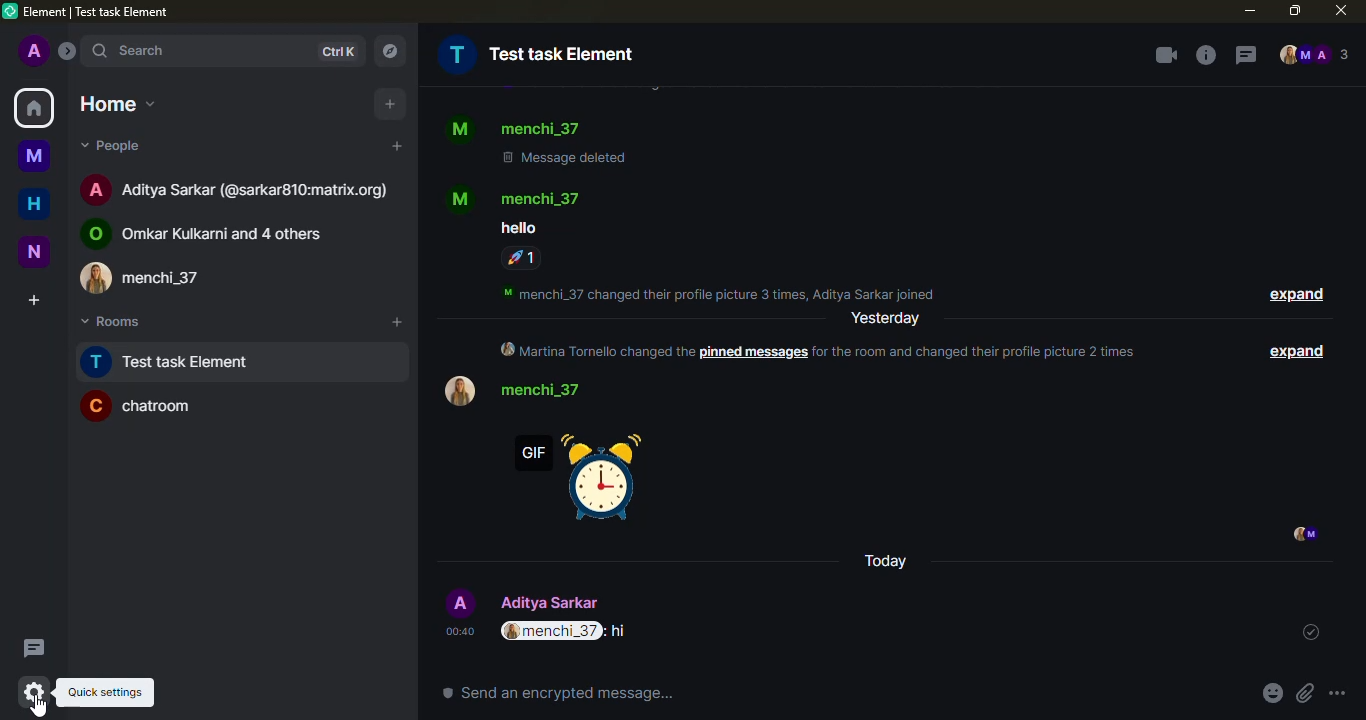  What do you see at coordinates (33, 52) in the screenshot?
I see `profile` at bounding box center [33, 52].